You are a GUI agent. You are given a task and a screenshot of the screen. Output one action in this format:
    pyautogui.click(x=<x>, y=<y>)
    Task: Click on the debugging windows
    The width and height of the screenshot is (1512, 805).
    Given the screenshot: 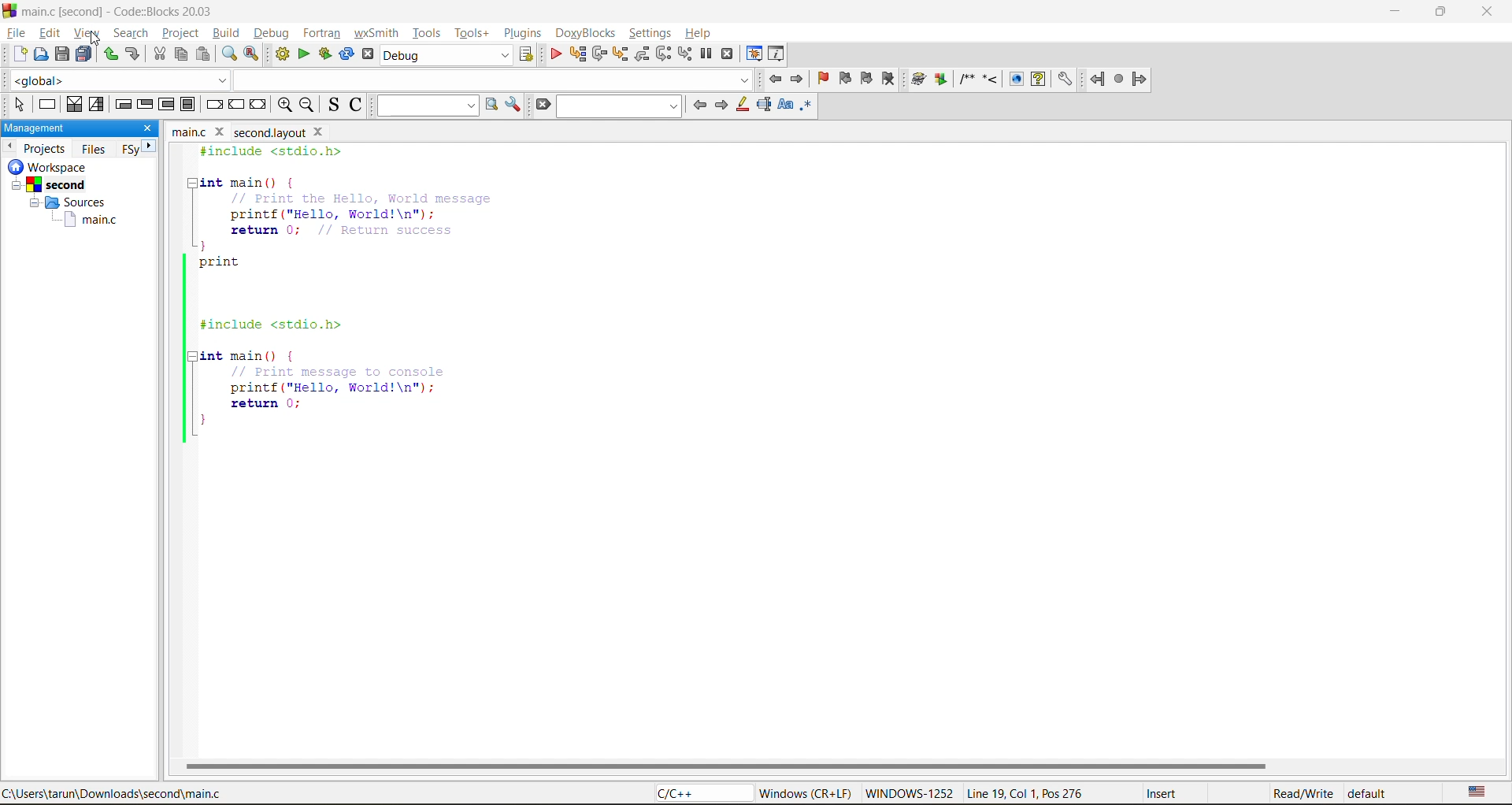 What is the action you would take?
    pyautogui.click(x=756, y=53)
    